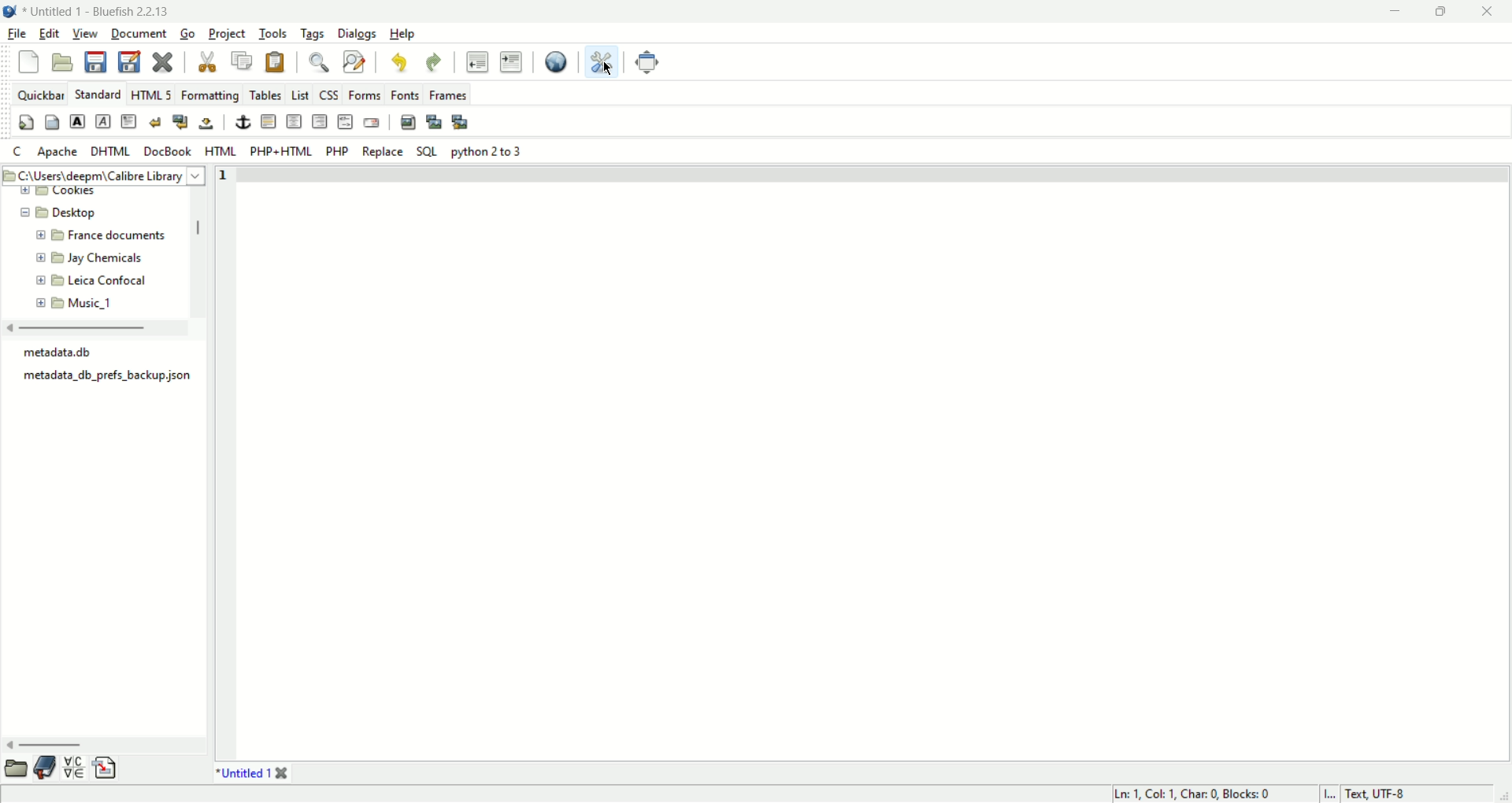 The image size is (1512, 803). Describe the element at coordinates (80, 212) in the screenshot. I see `Desktop` at that location.